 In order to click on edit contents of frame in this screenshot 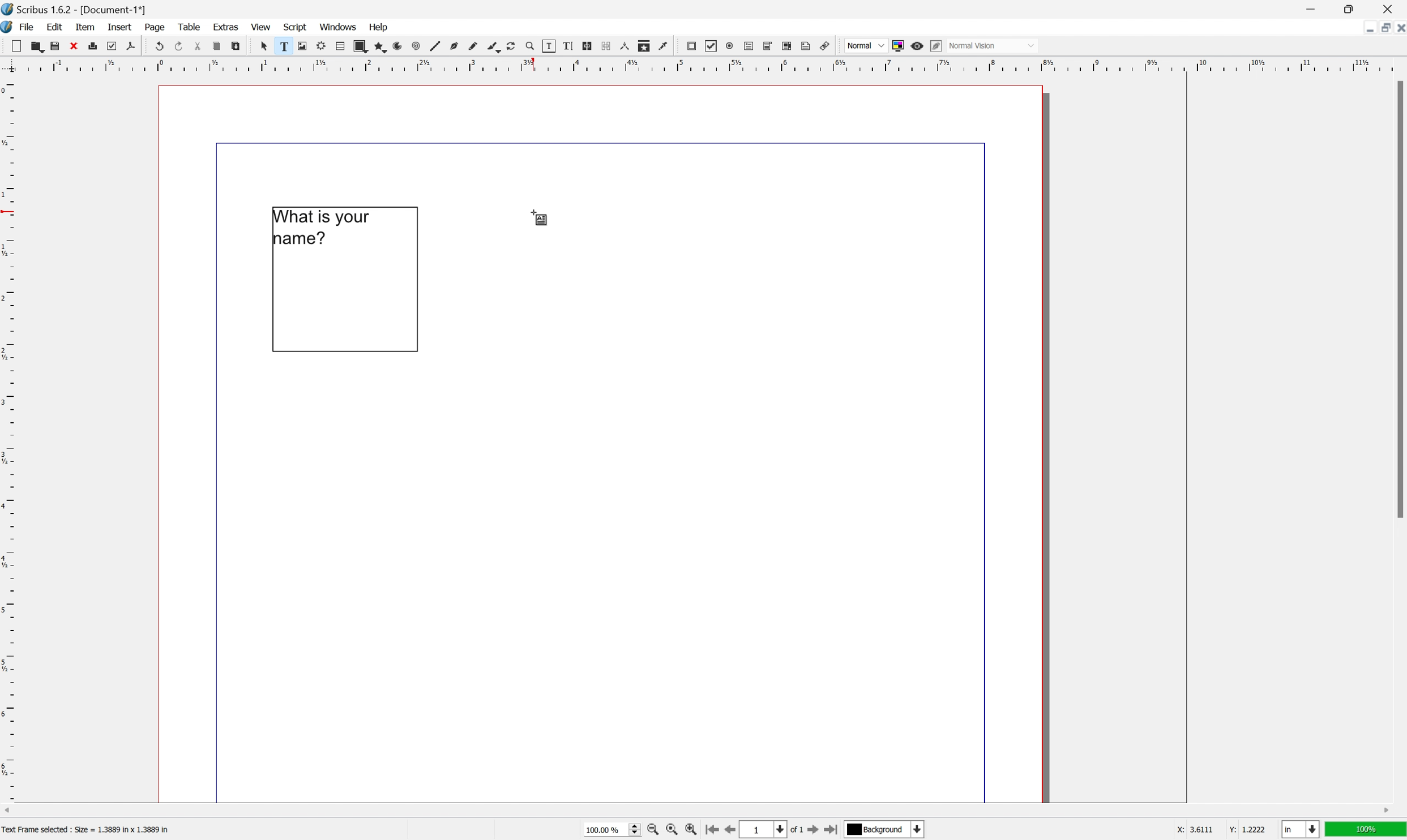, I will do `click(548, 45)`.